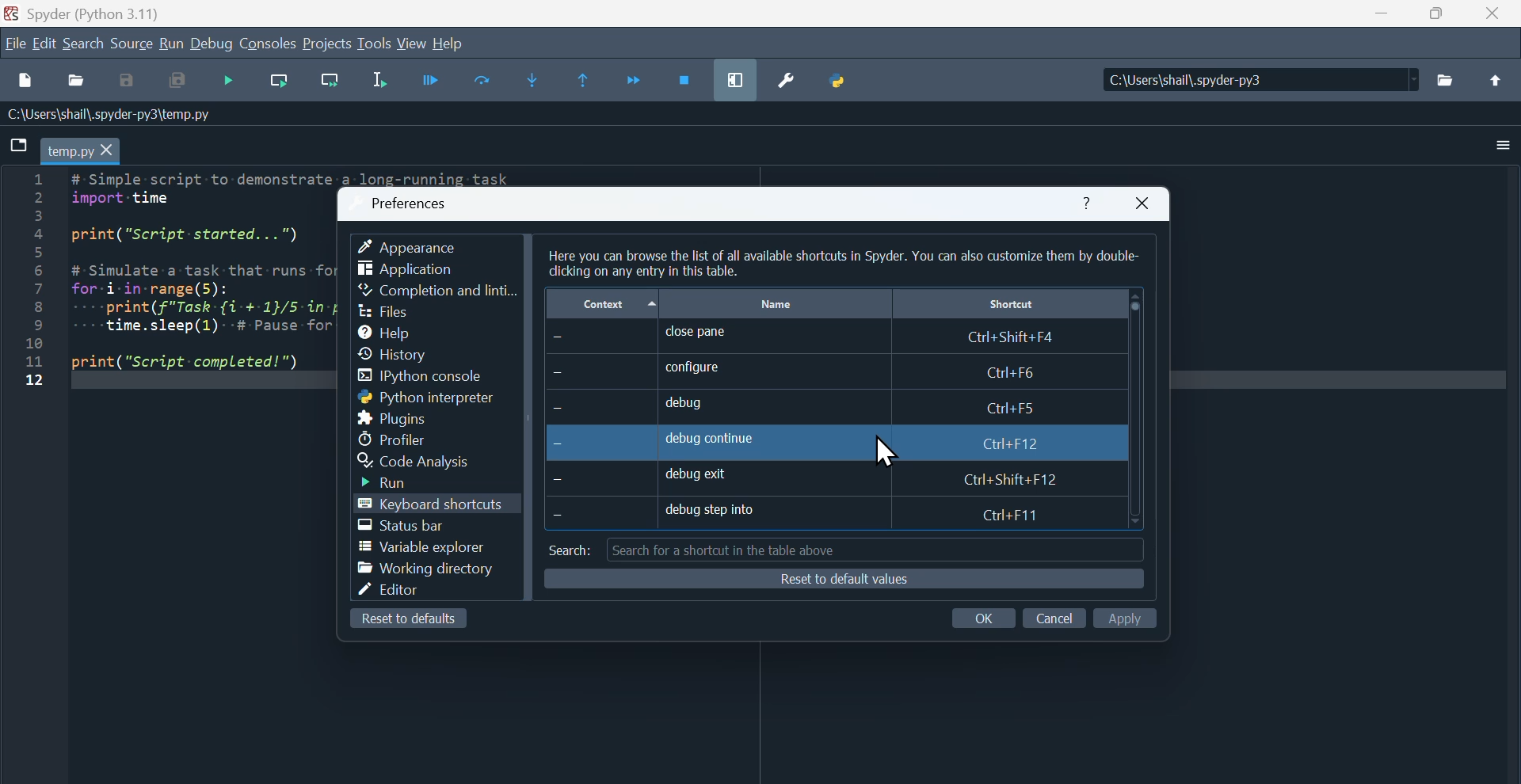 This screenshot has height=784, width=1521. Describe the element at coordinates (1379, 17) in the screenshot. I see `minimise` at that location.